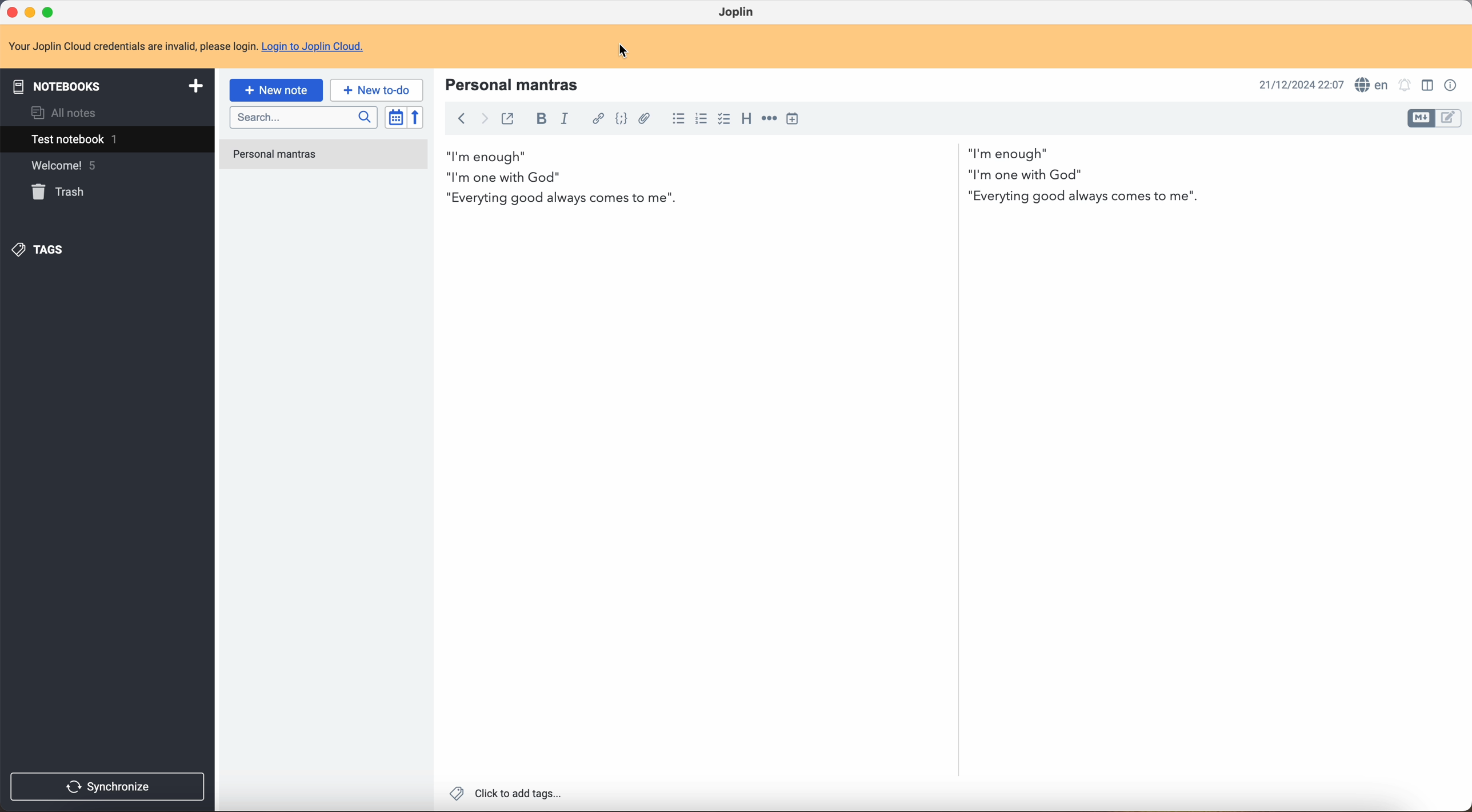 Image resolution: width=1472 pixels, height=812 pixels. I want to click on importing and exporting notes, so click(308, 185).